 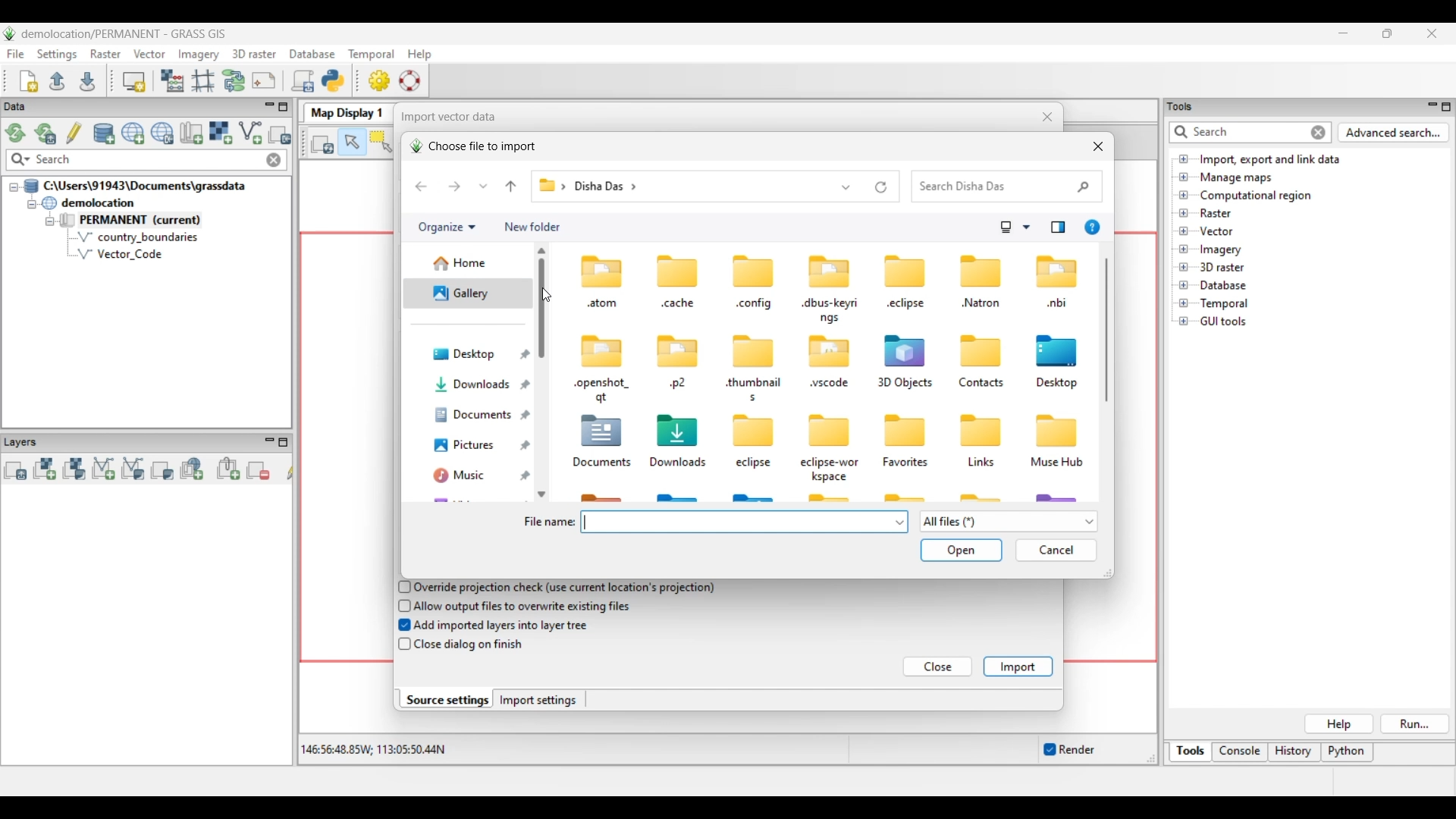 What do you see at coordinates (830, 311) in the screenshot?
I see `«dbus-keyri
ngs` at bounding box center [830, 311].